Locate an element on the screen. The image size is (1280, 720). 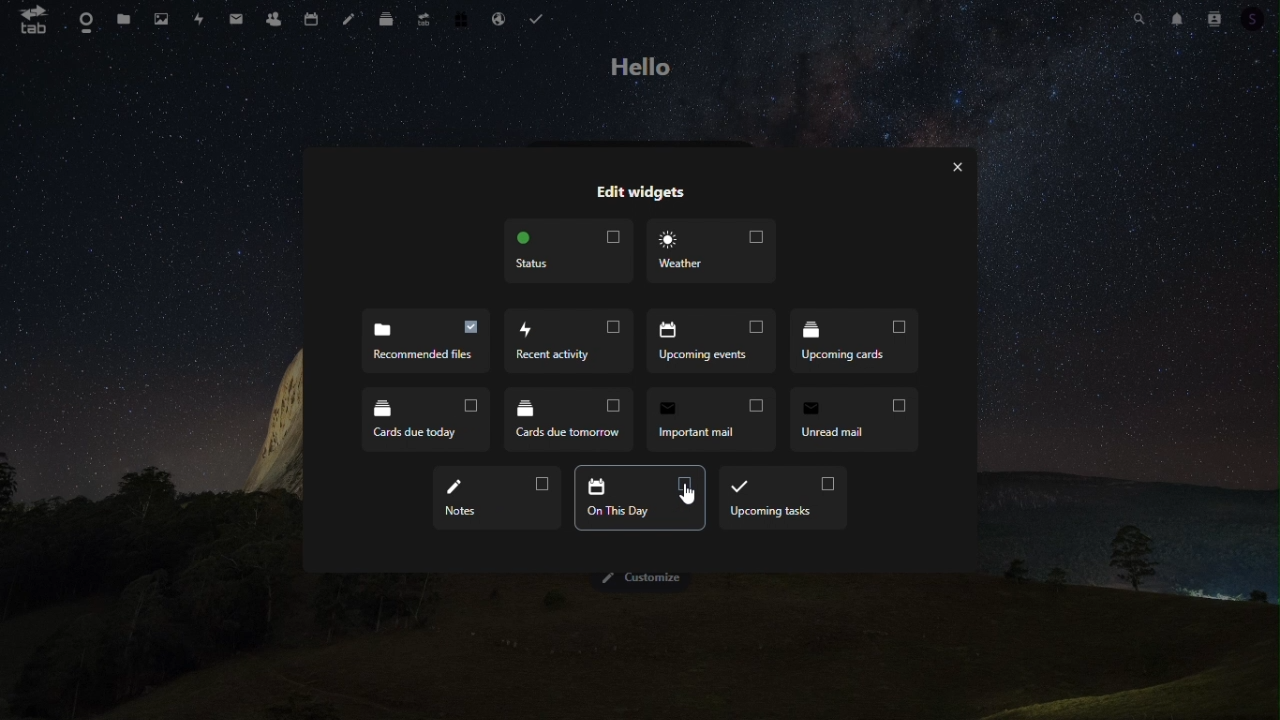
upcoming events is located at coordinates (566, 341).